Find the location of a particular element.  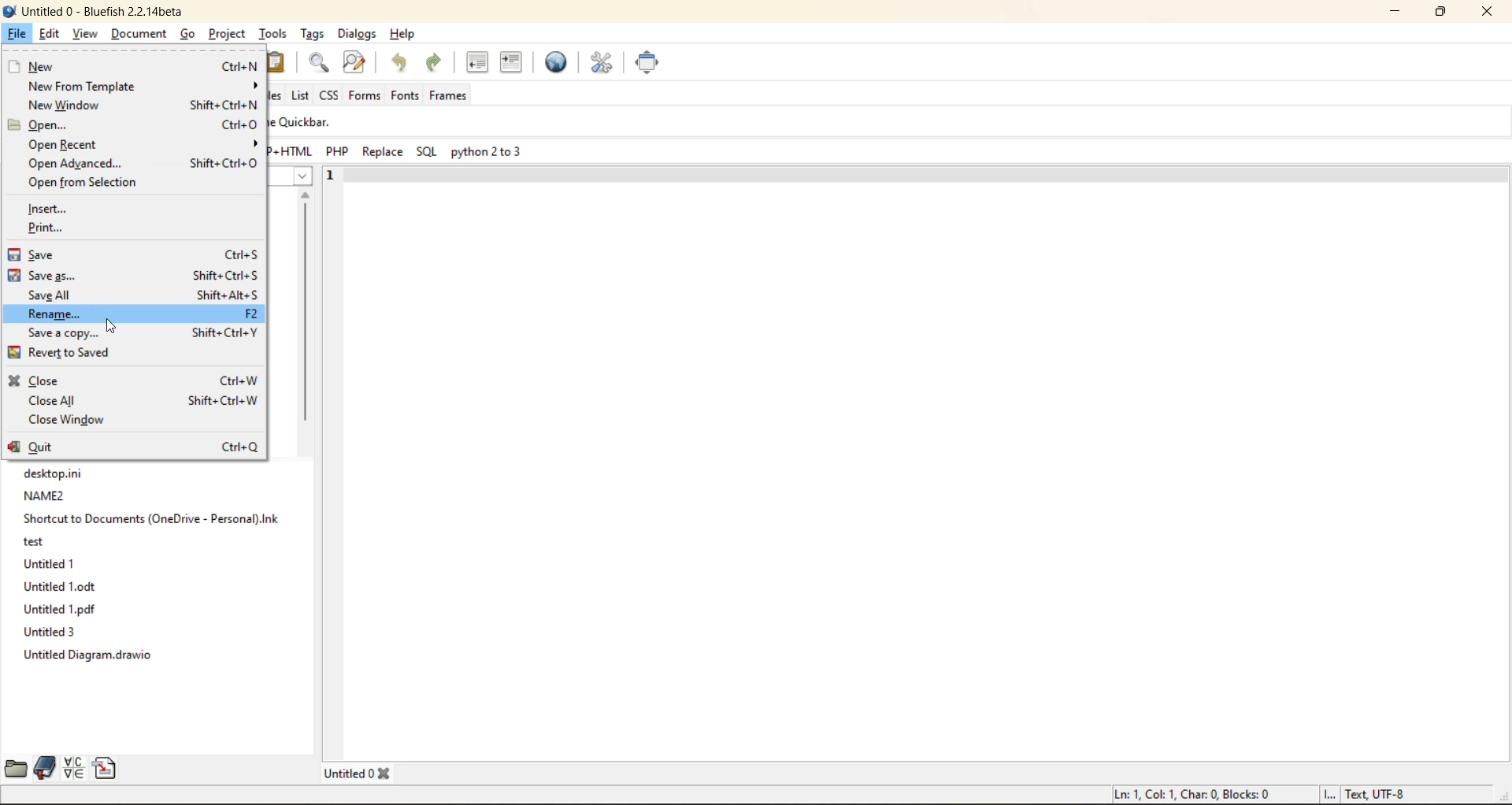

fonts is located at coordinates (404, 95).